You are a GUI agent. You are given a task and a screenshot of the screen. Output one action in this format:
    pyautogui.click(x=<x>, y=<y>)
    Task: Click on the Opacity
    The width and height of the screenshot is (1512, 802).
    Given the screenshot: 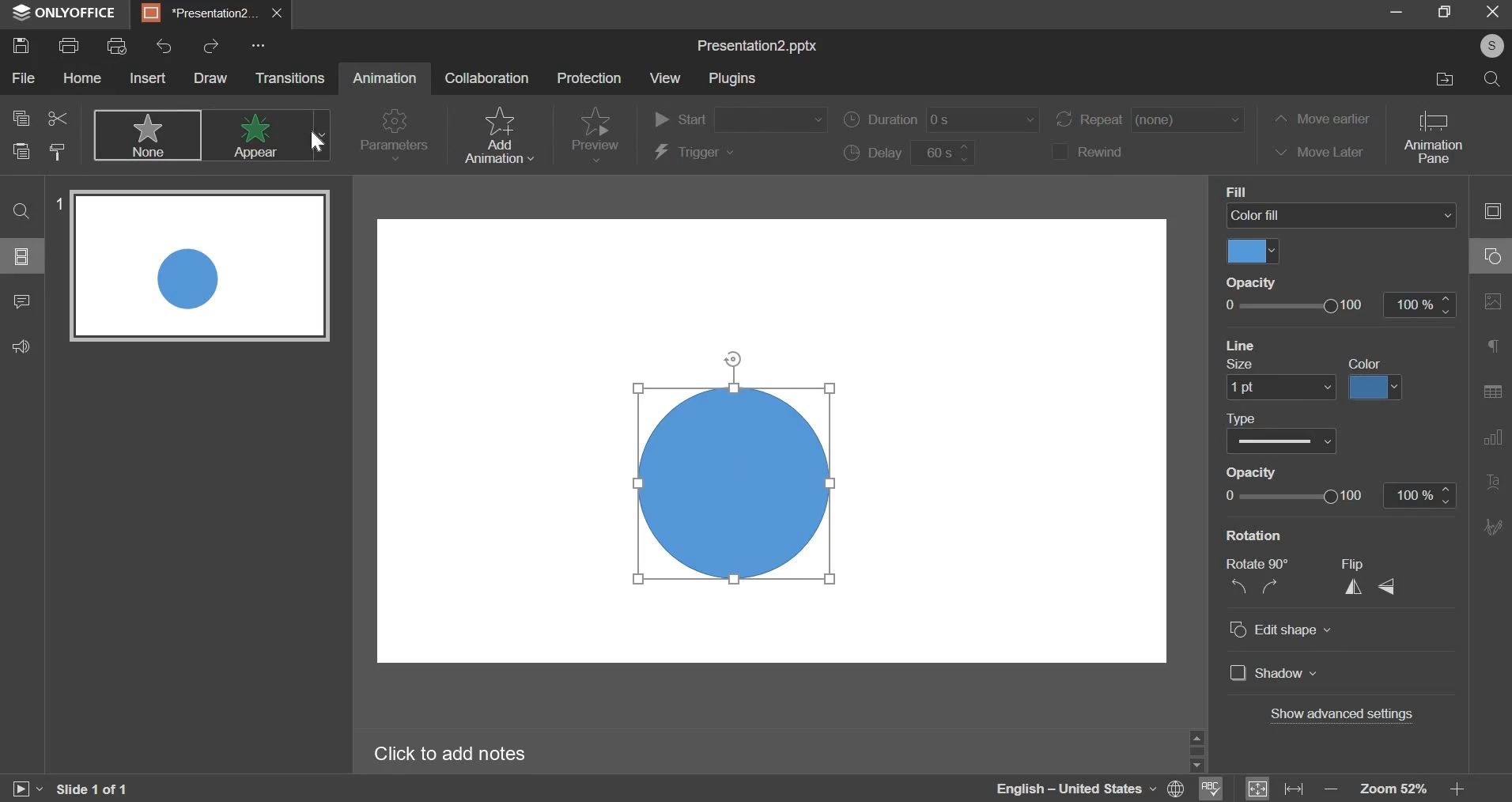 What is the action you would take?
    pyautogui.click(x=1247, y=282)
    